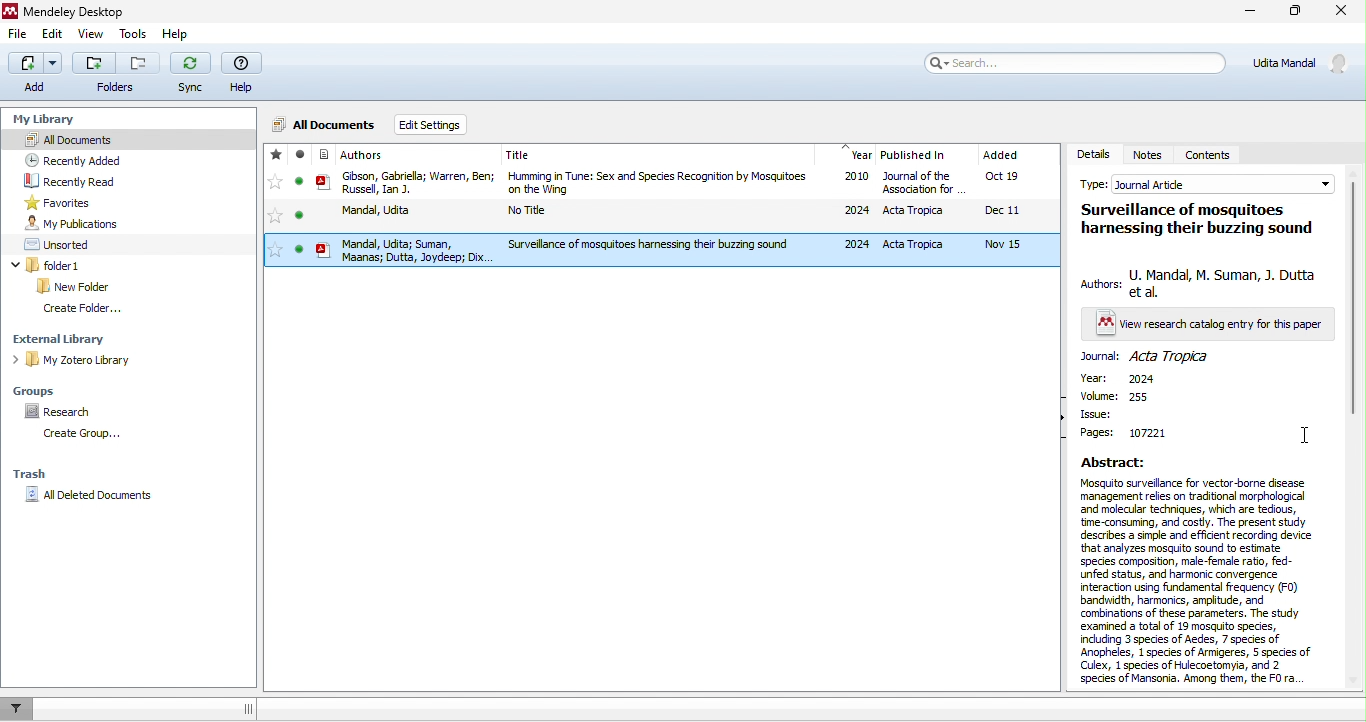  Describe the element at coordinates (326, 124) in the screenshot. I see `all documents` at that location.